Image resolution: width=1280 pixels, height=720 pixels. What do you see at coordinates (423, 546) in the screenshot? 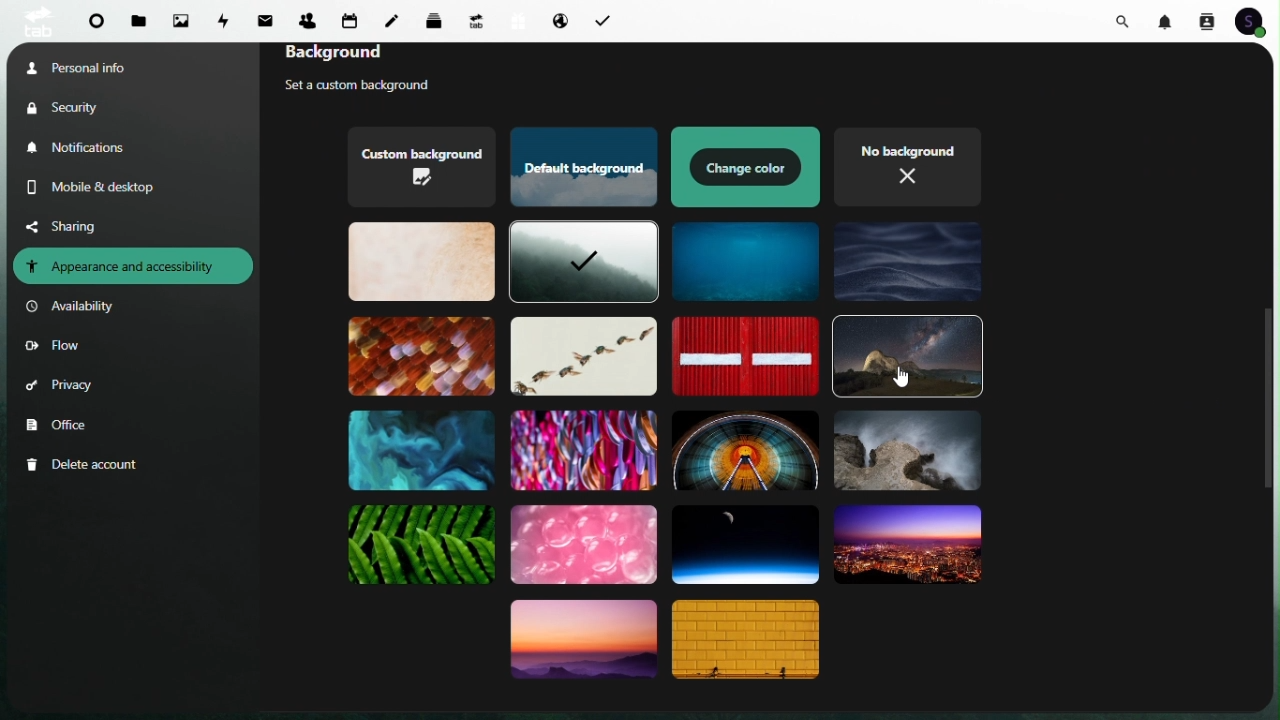
I see `Themes` at bounding box center [423, 546].